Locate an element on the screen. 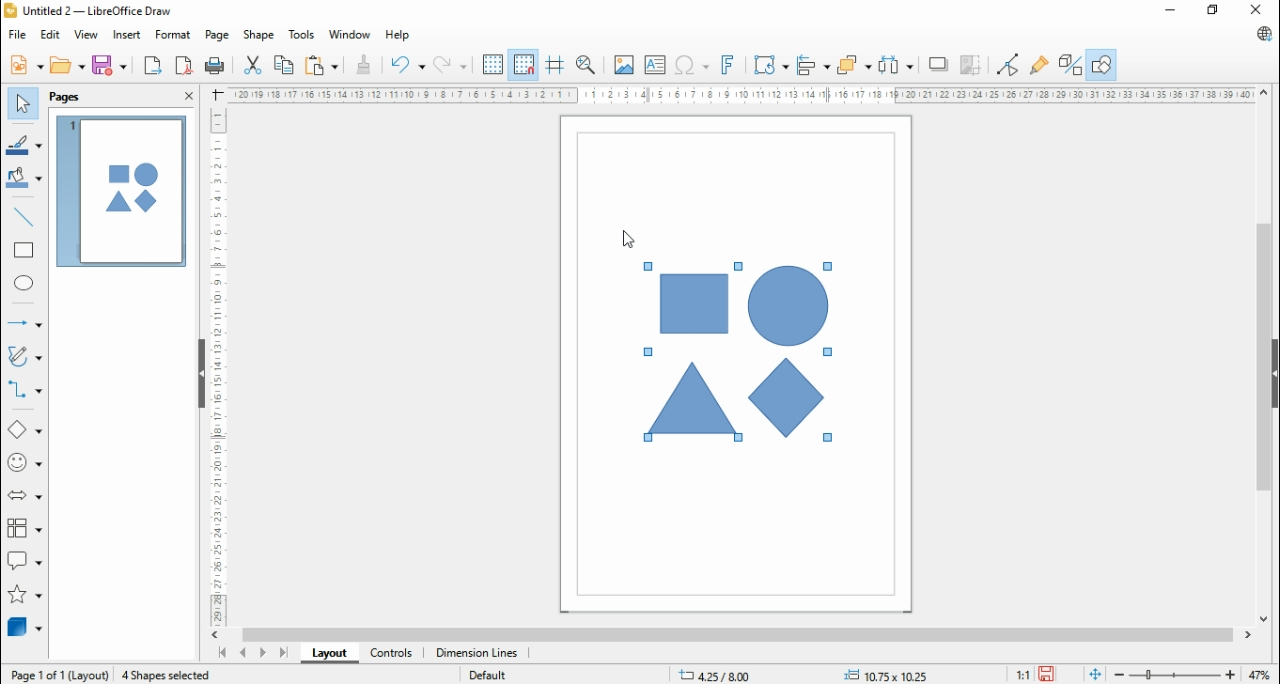 The image size is (1280, 684). transformation is located at coordinates (771, 64).